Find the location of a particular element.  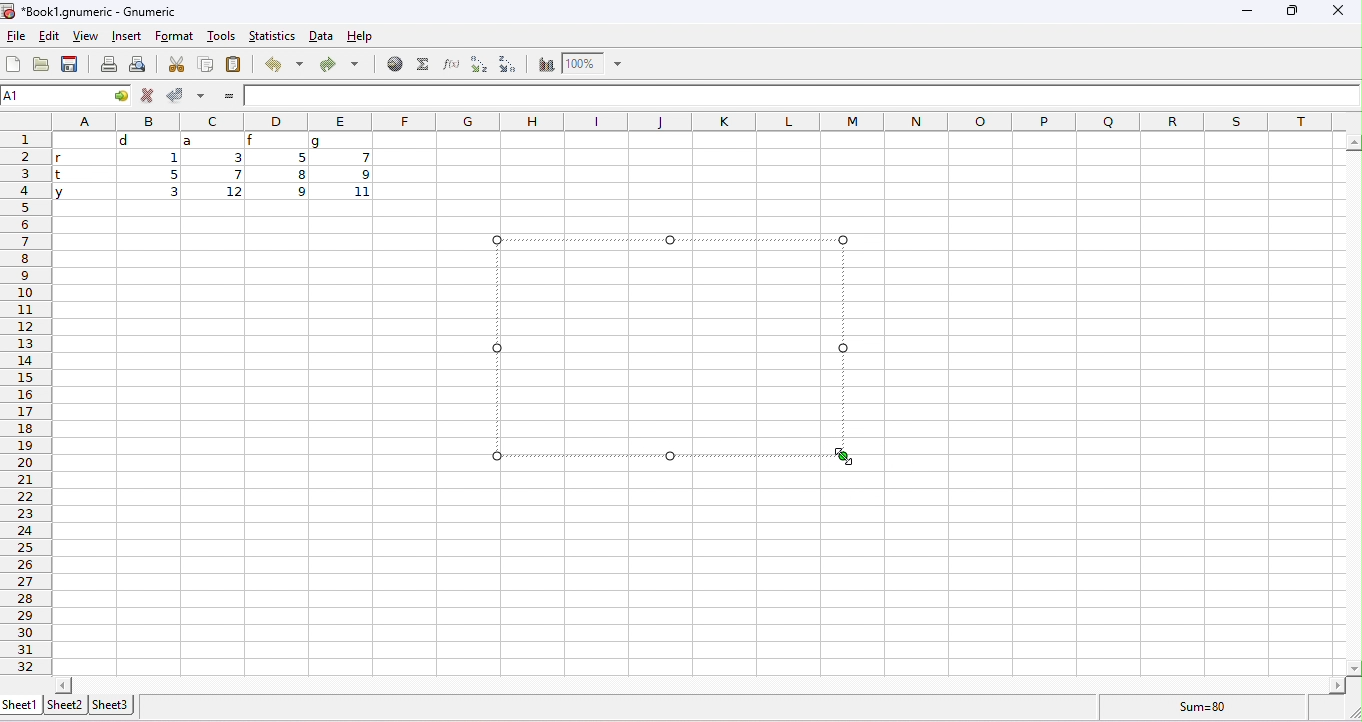

tools is located at coordinates (221, 35).